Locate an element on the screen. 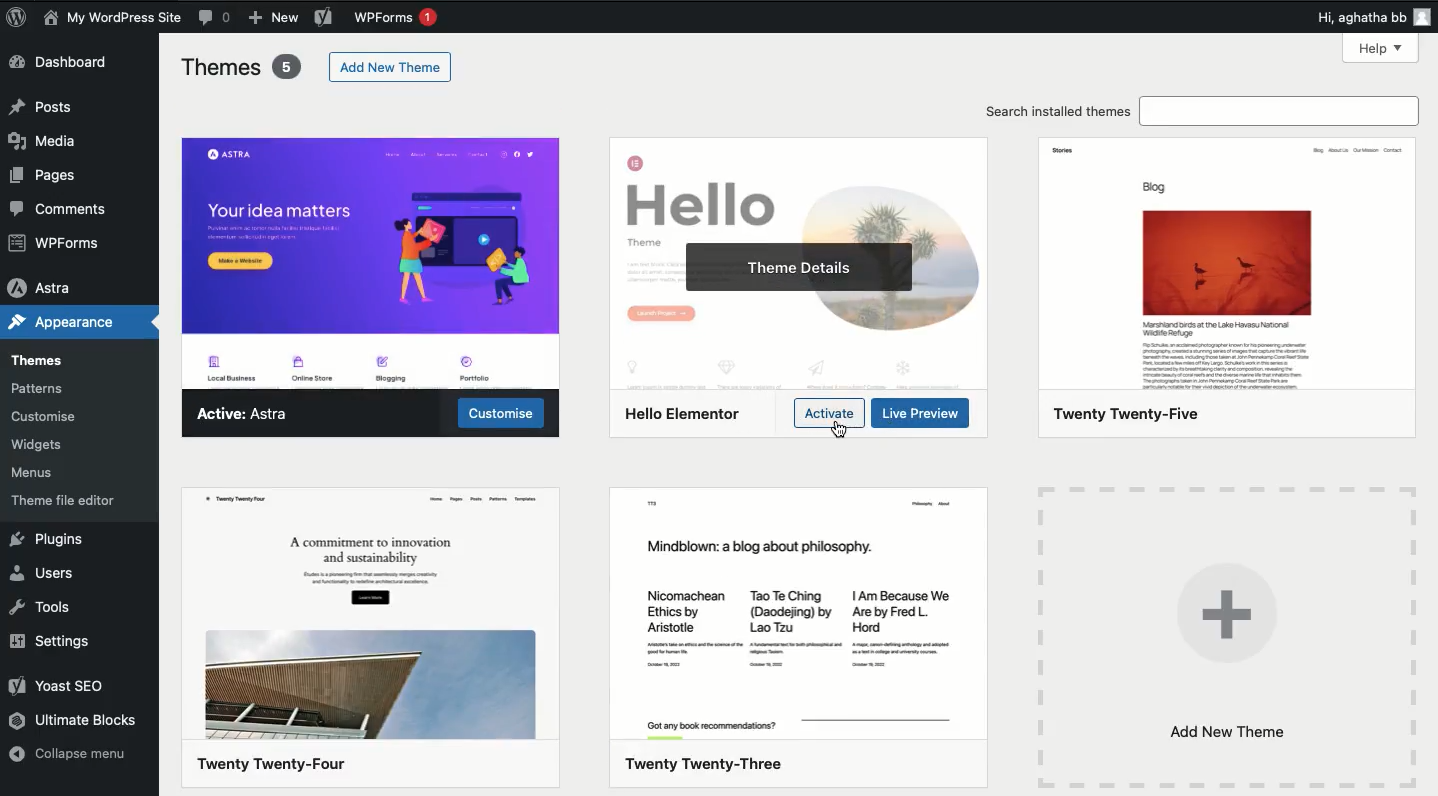 This screenshot has width=1438, height=796. Comments is located at coordinates (63, 208).